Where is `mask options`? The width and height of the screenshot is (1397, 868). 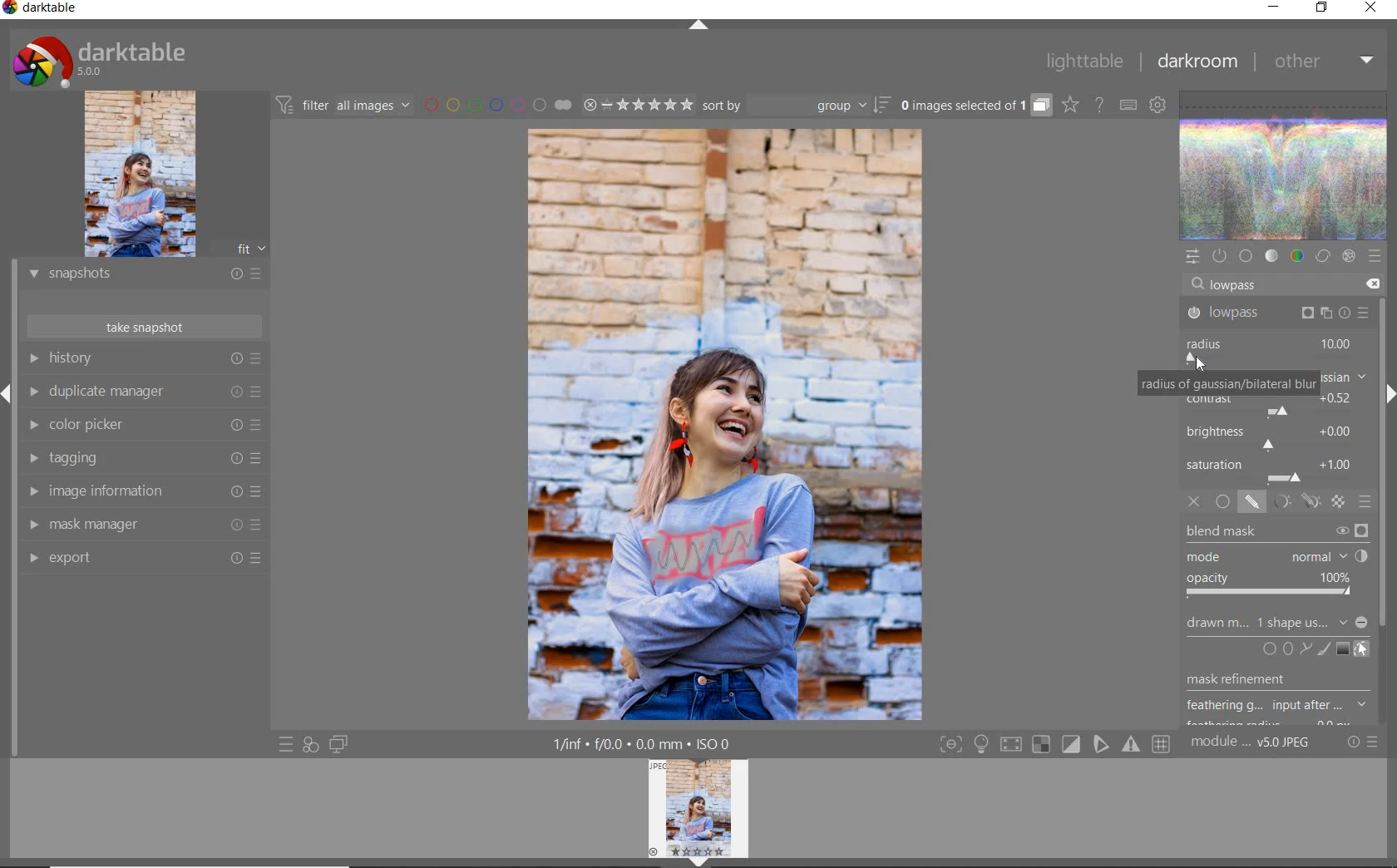 mask options is located at coordinates (1293, 502).